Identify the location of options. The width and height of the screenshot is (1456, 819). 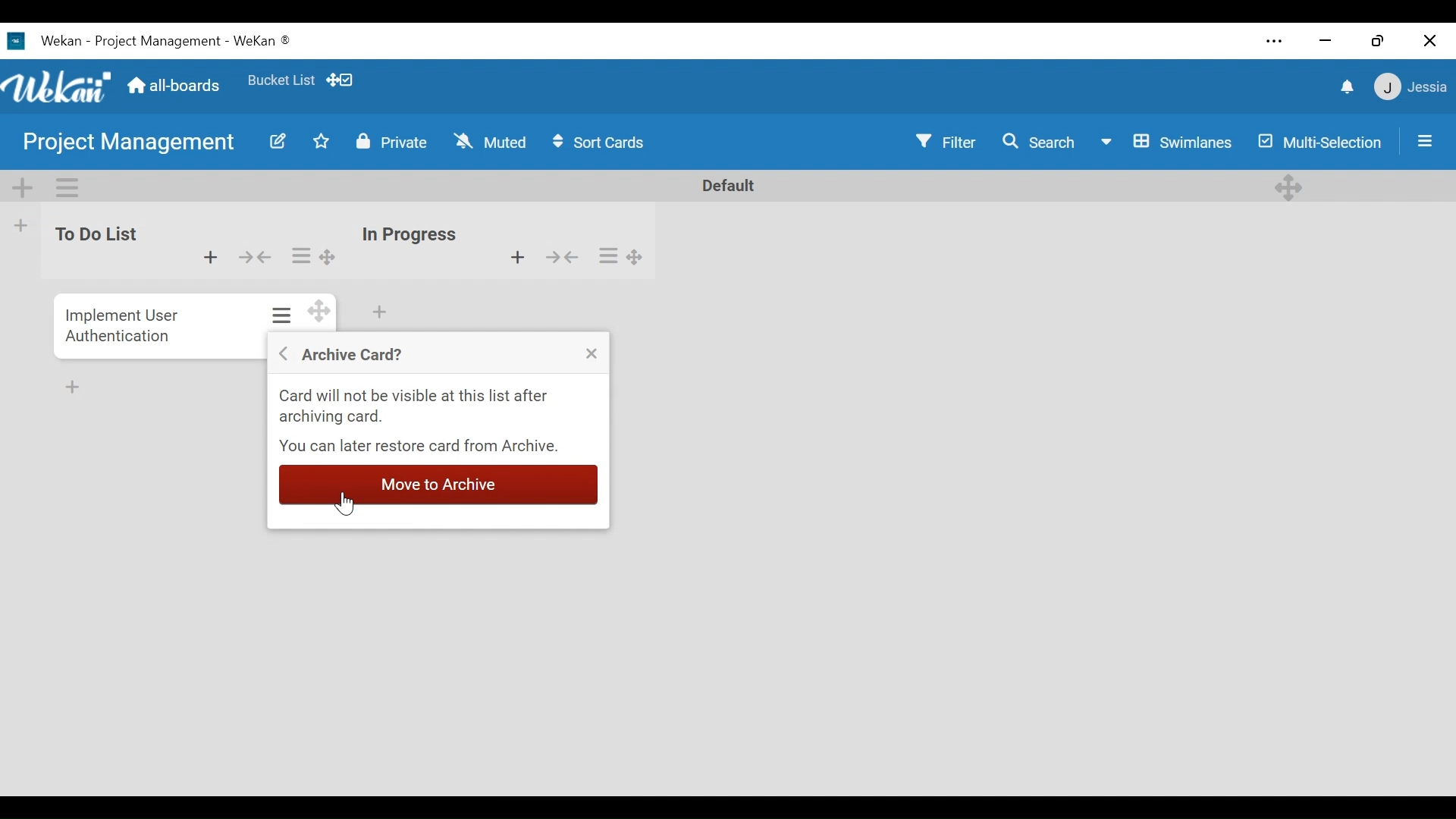
(279, 314).